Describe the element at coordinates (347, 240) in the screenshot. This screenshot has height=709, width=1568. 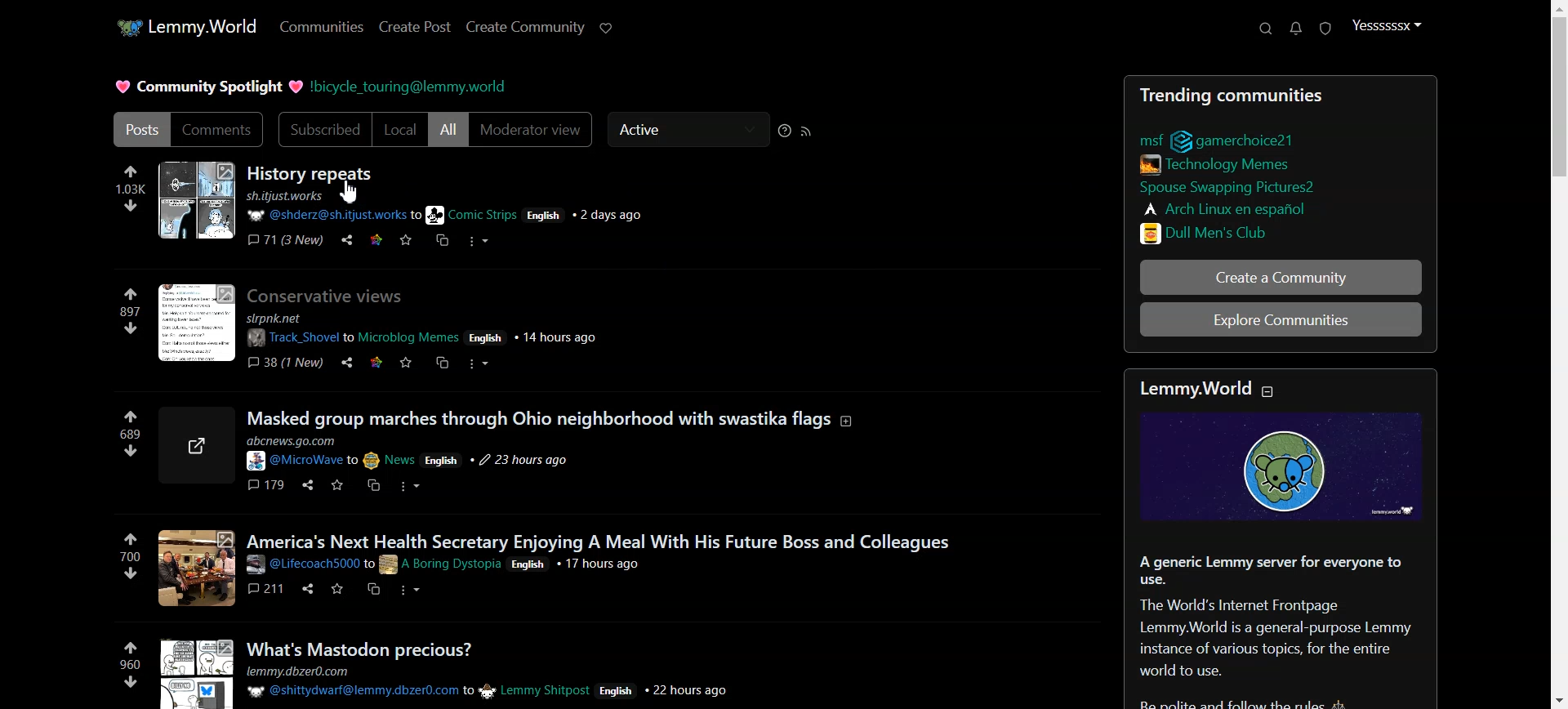
I see `Share` at that location.